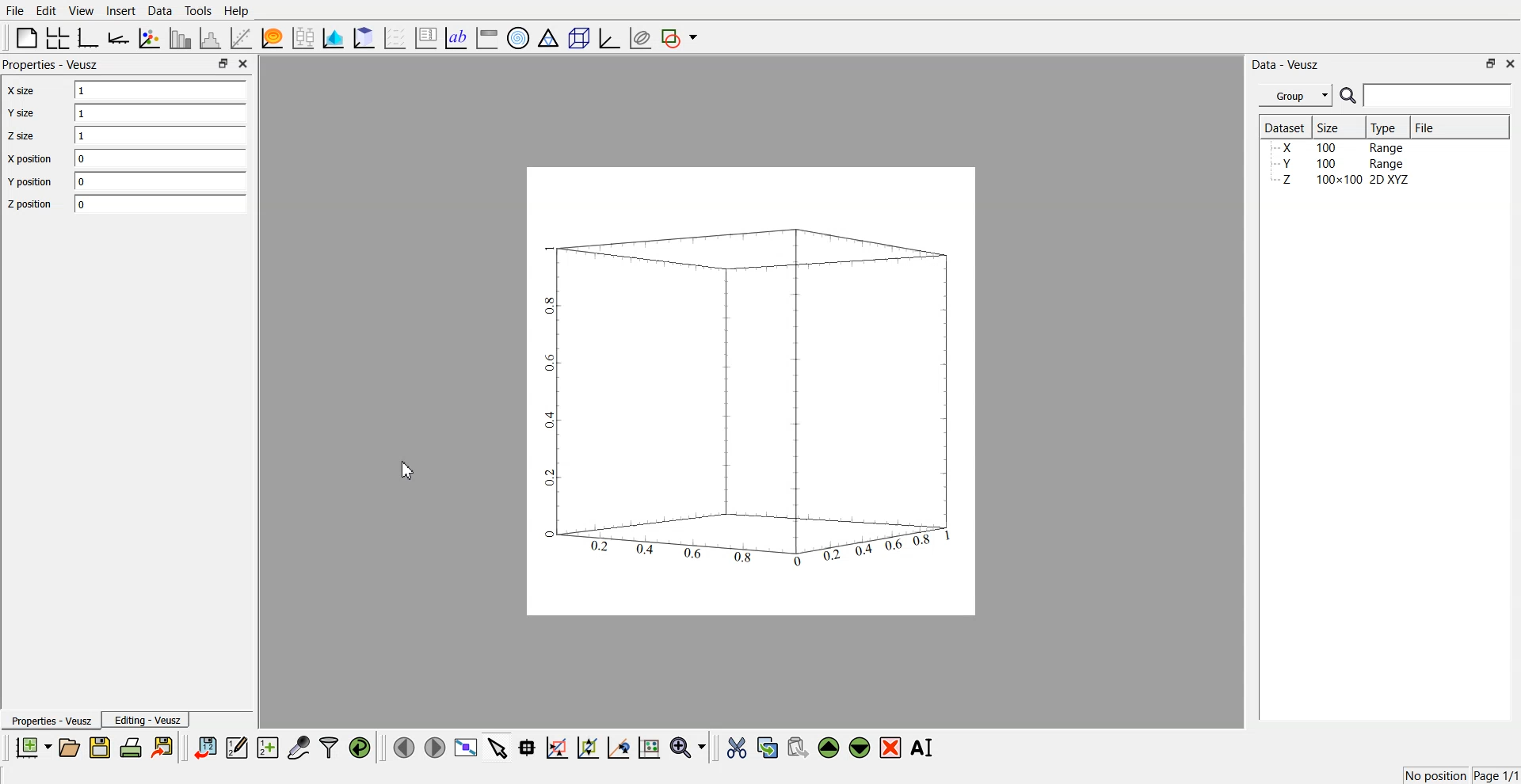  Describe the element at coordinates (1491, 63) in the screenshot. I see `Maximize` at that location.